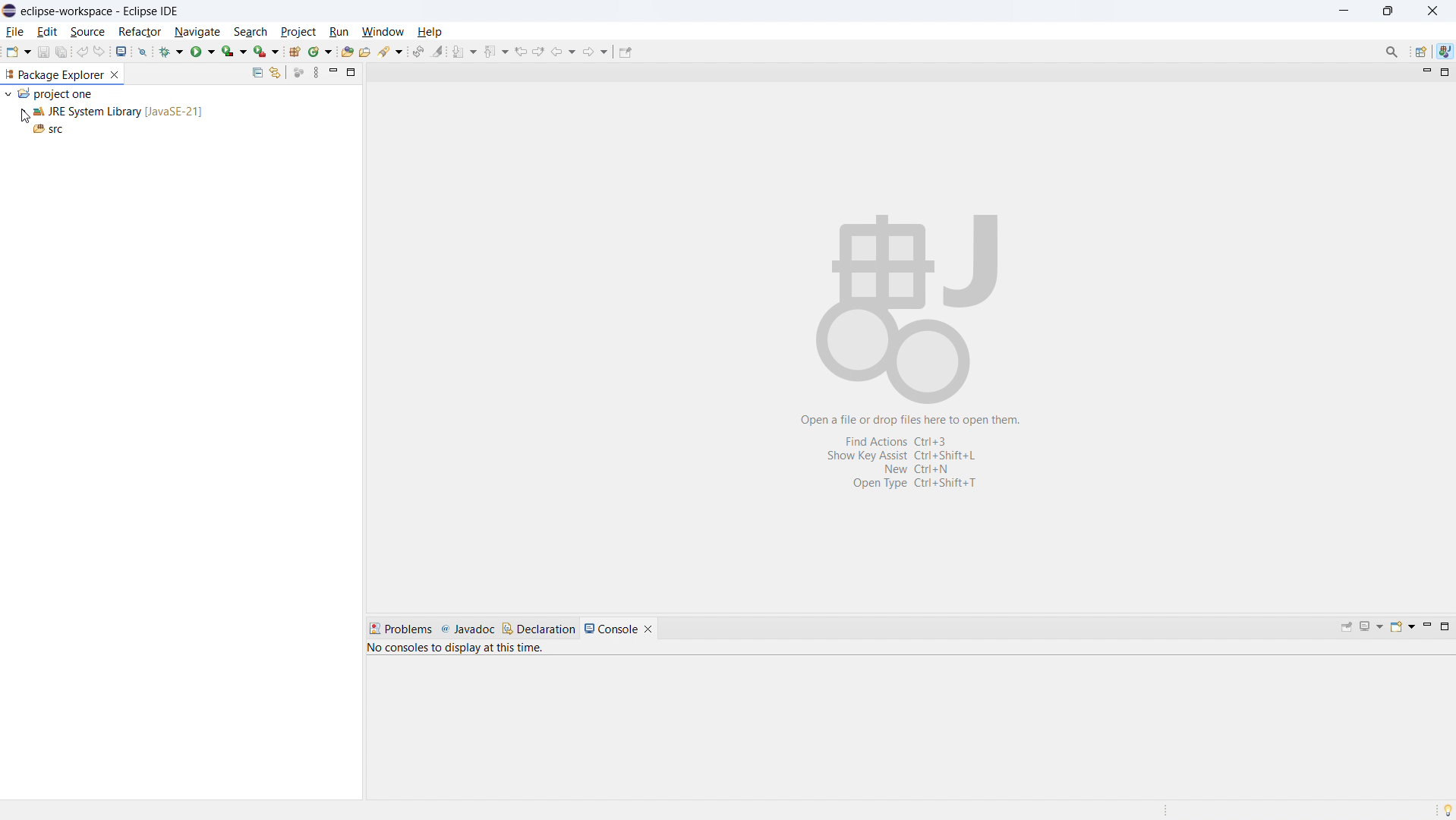 The image size is (1456, 820). I want to click on debug, so click(169, 53).